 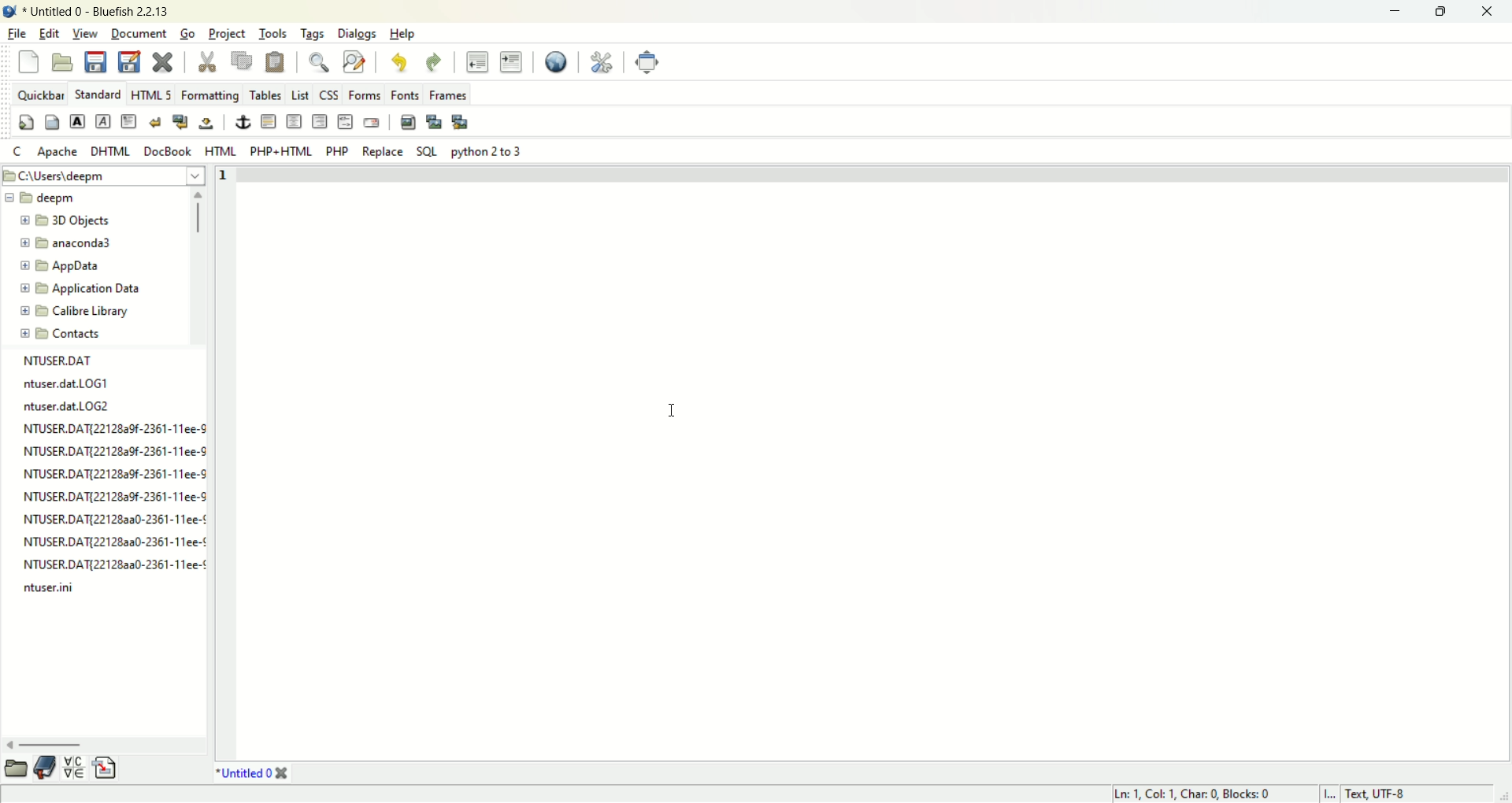 What do you see at coordinates (83, 222) in the screenshot?
I see `folder name` at bounding box center [83, 222].